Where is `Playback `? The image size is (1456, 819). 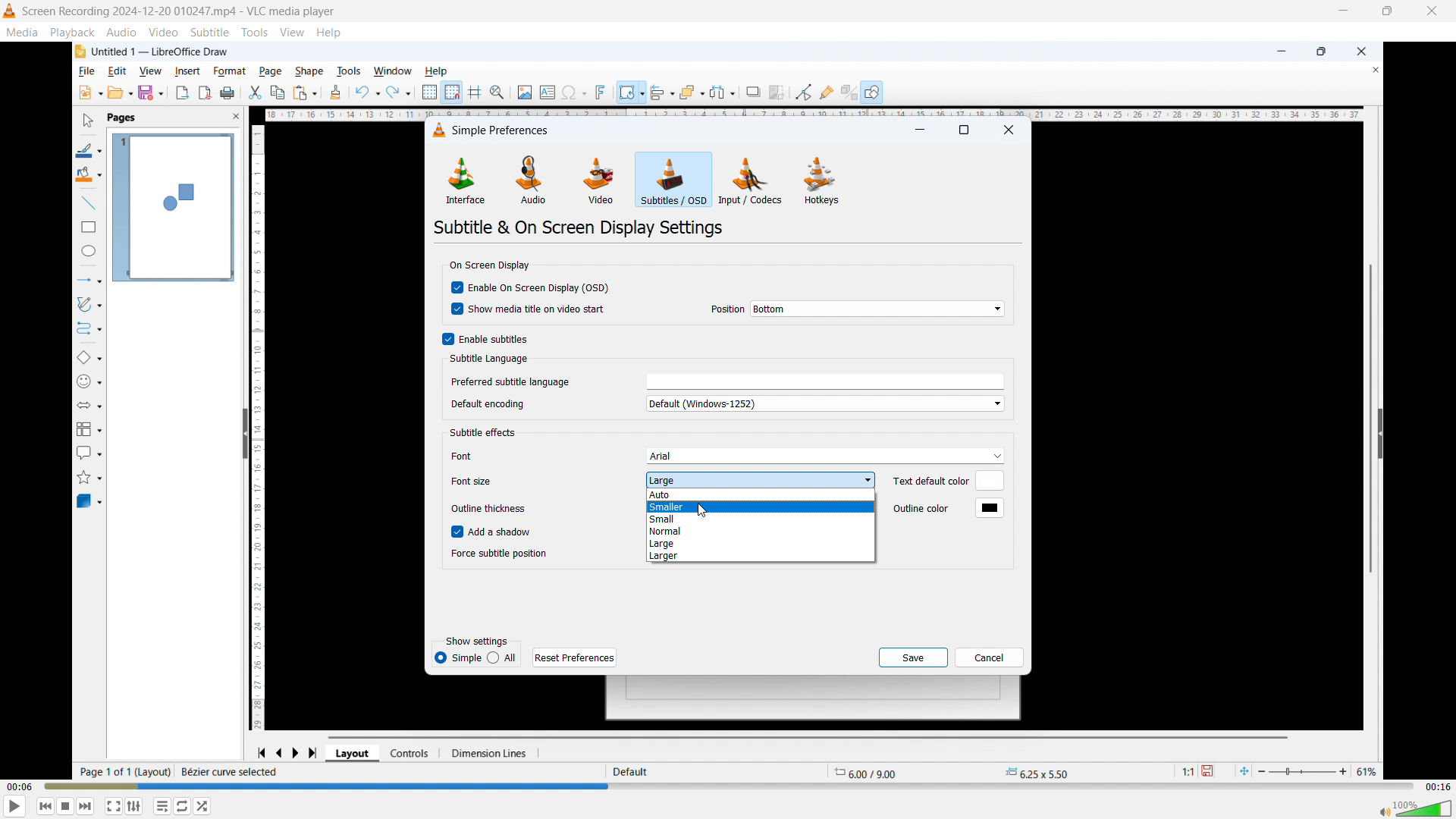 Playback  is located at coordinates (74, 33).